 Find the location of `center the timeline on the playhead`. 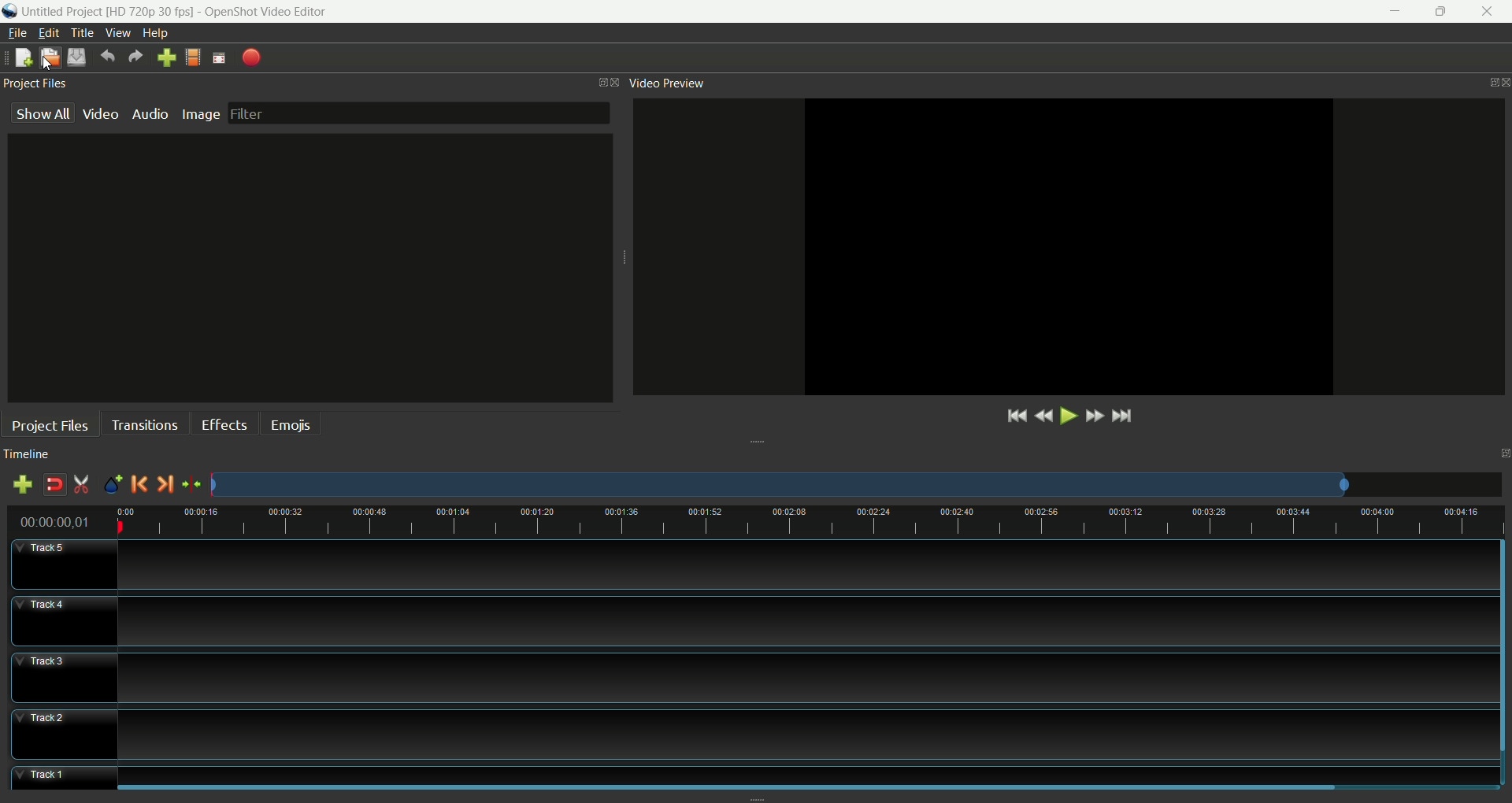

center the timeline on the playhead is located at coordinates (191, 485).